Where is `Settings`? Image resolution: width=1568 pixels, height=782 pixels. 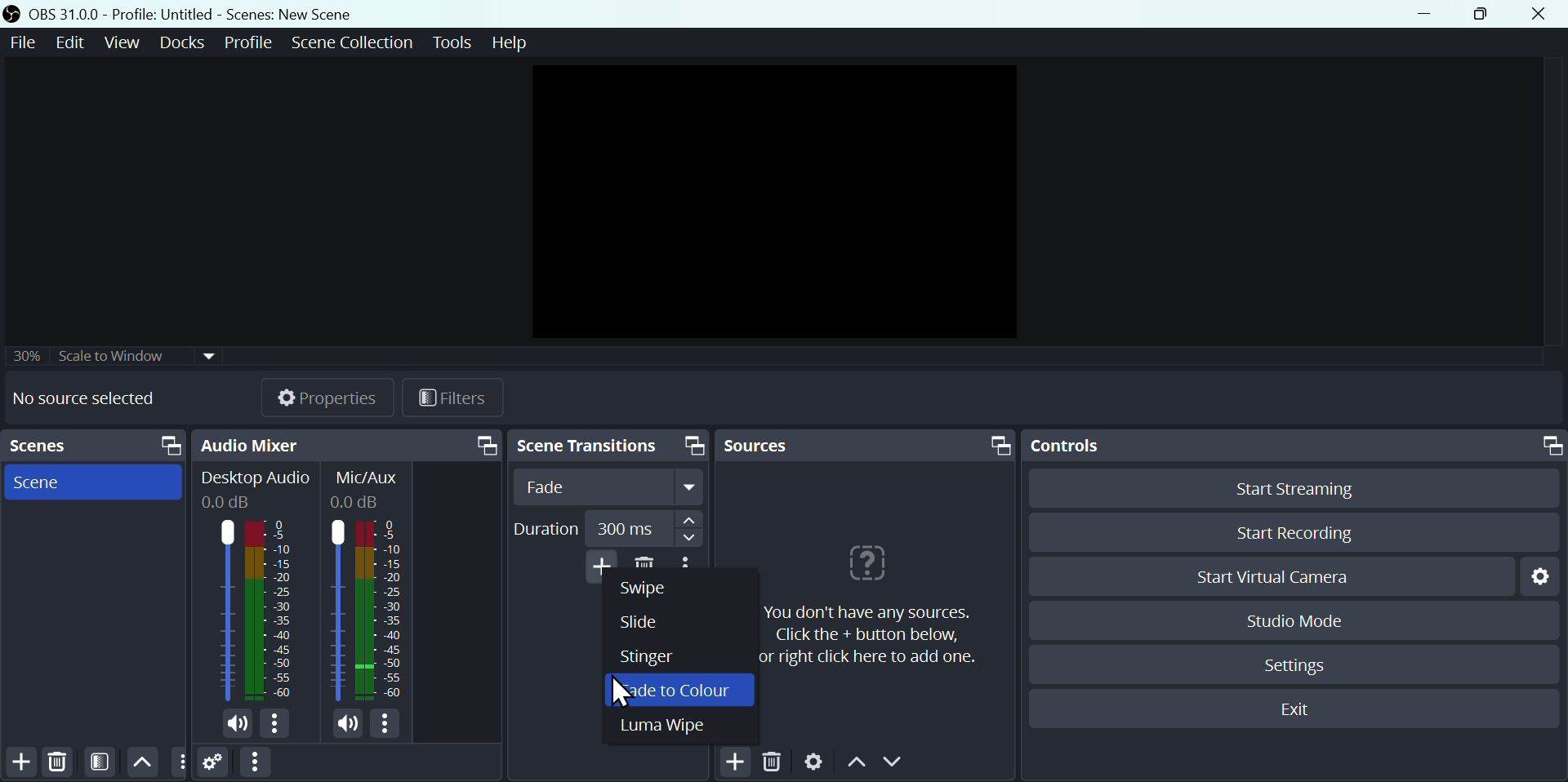 Settings is located at coordinates (1301, 663).